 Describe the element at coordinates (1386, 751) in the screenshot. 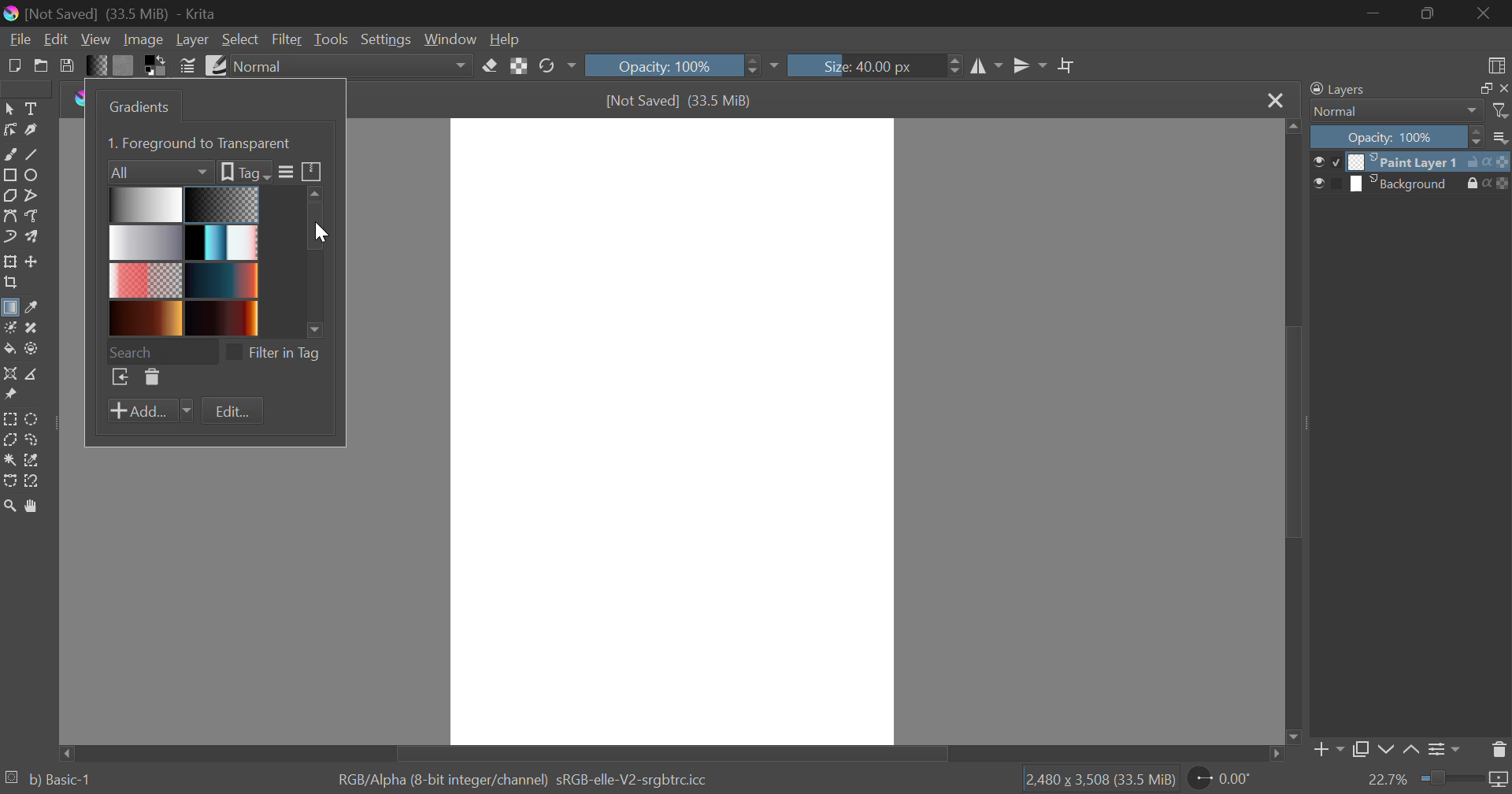

I see `Move Layer Down` at that location.